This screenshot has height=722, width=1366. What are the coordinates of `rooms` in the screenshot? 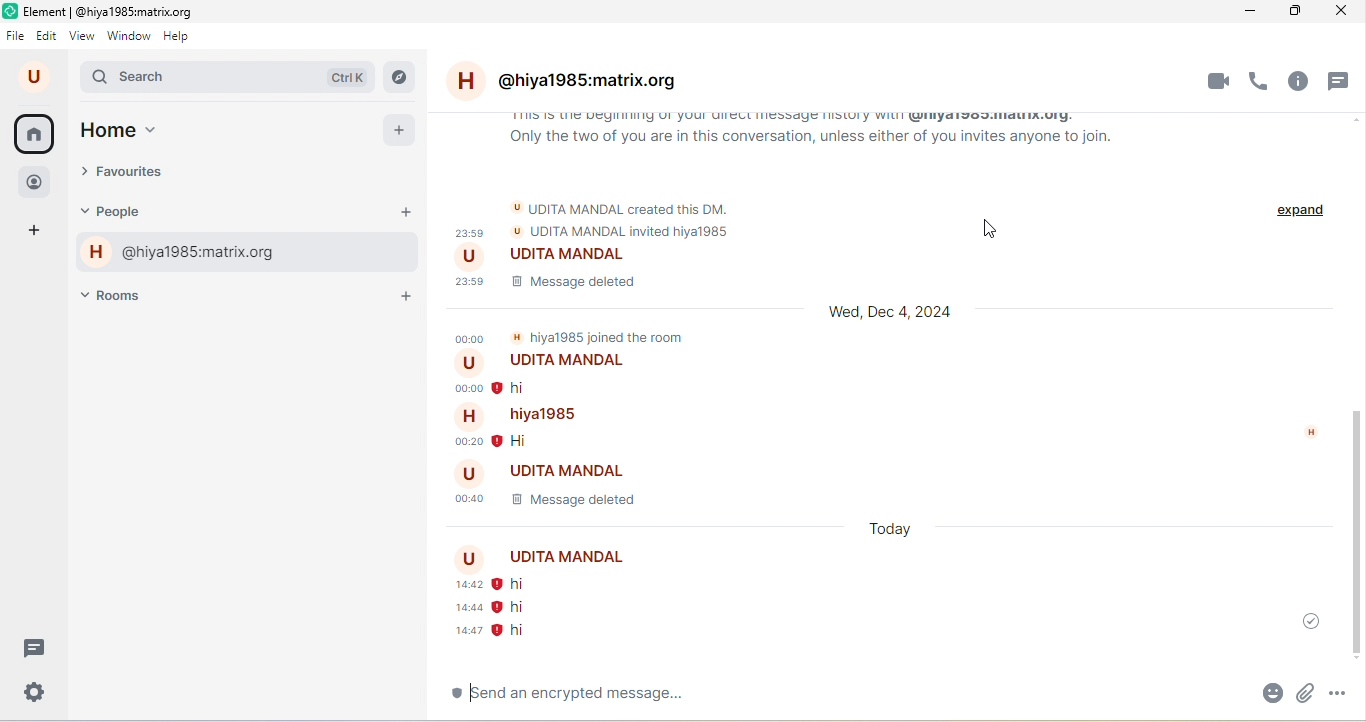 It's located at (123, 294).